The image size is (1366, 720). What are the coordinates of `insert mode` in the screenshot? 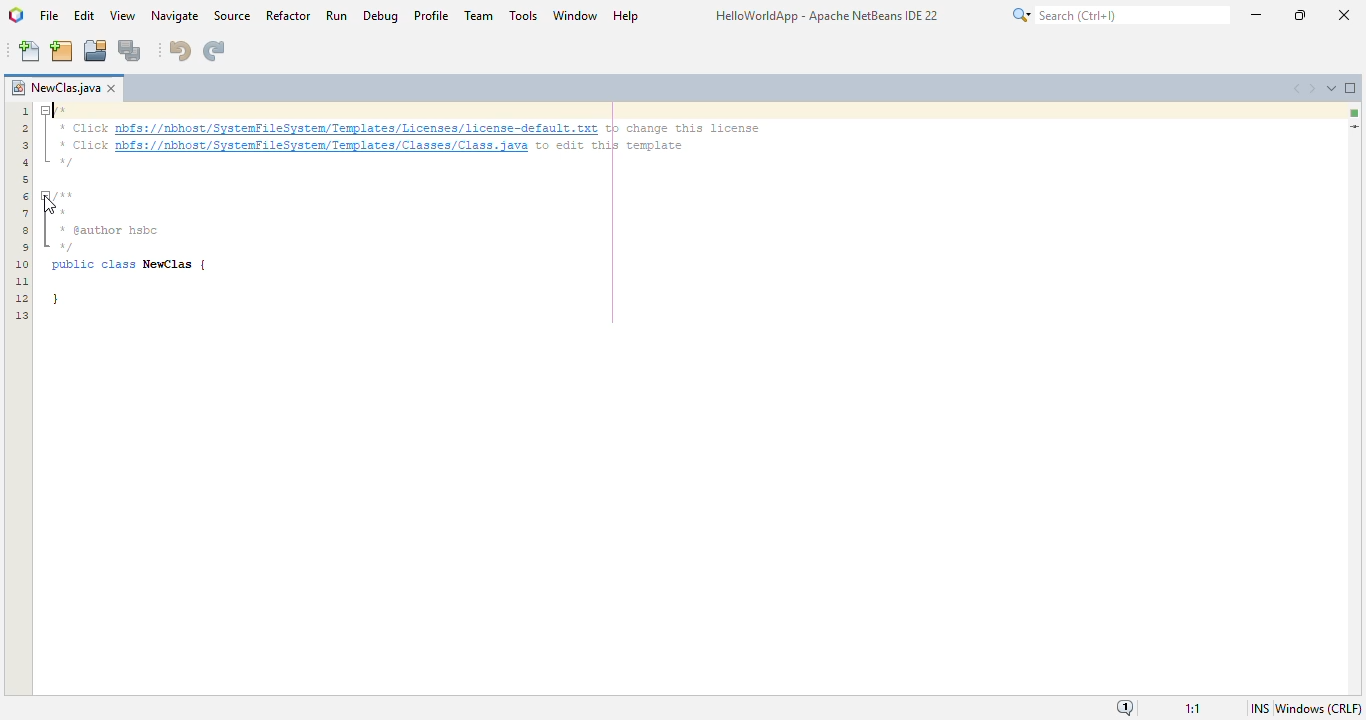 It's located at (1258, 708).